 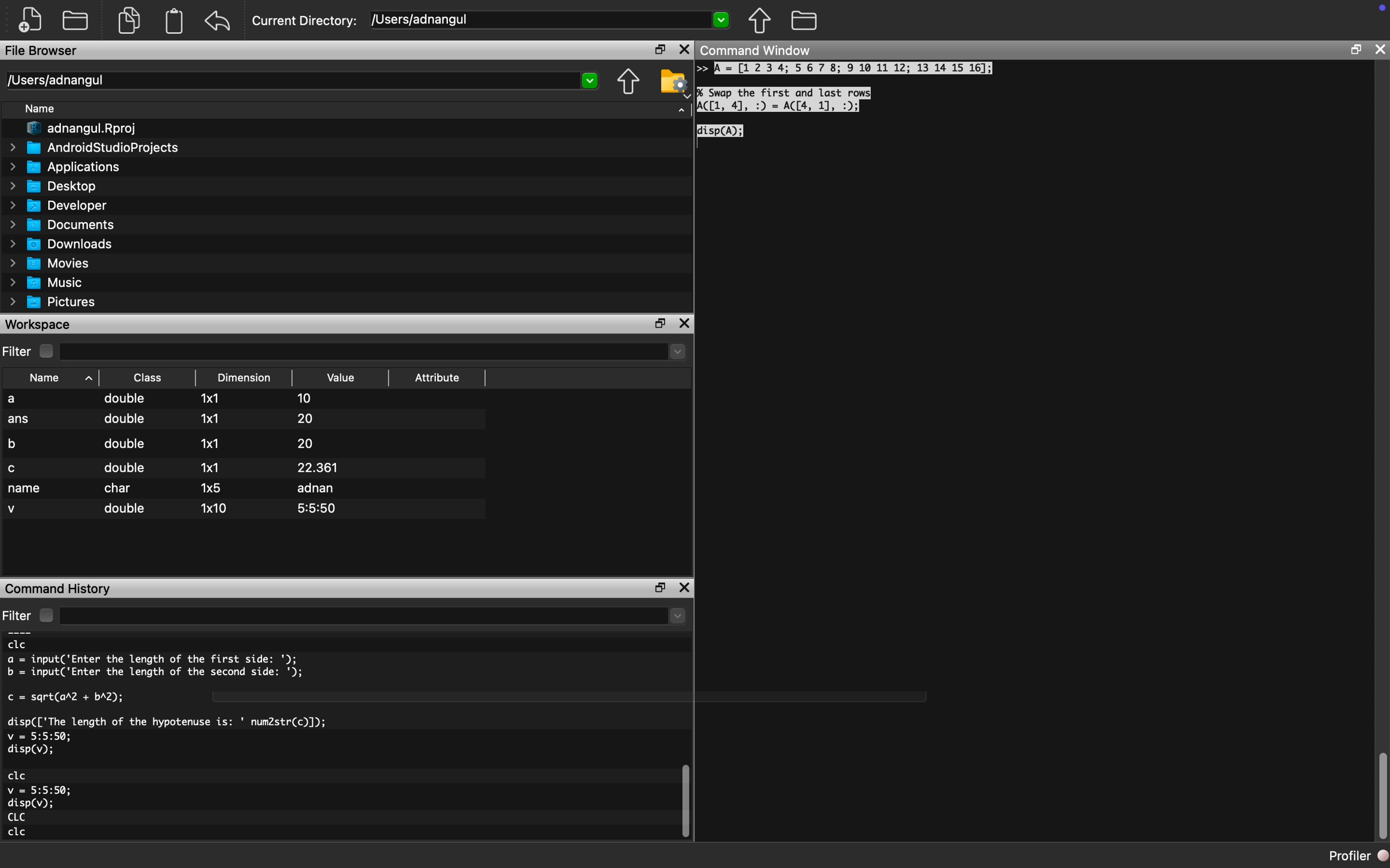 What do you see at coordinates (65, 167) in the screenshot?
I see `> [B Applications` at bounding box center [65, 167].